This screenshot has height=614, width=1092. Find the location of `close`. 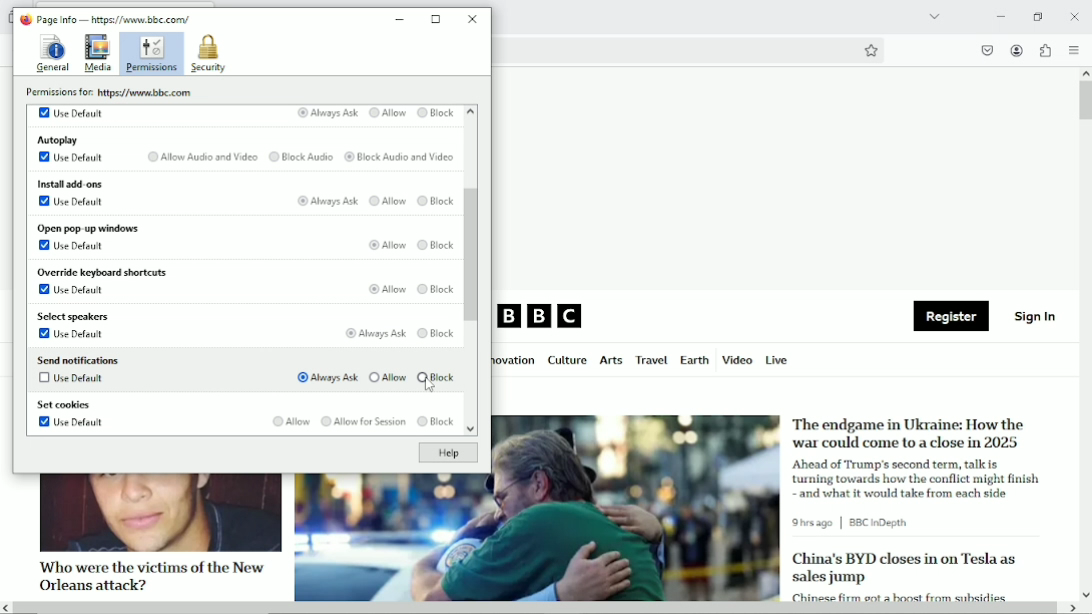

close is located at coordinates (474, 18).